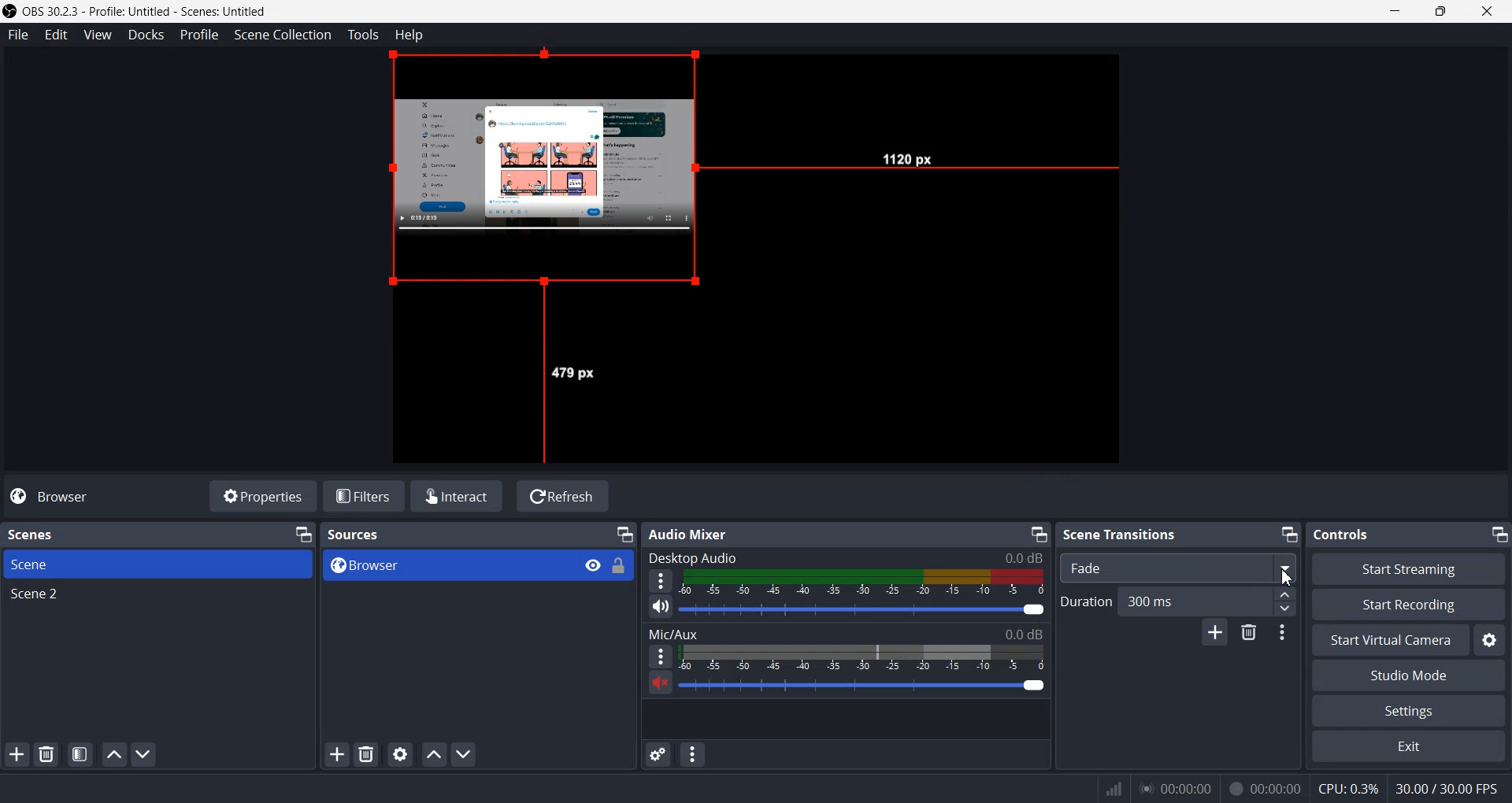 The height and width of the screenshot is (803, 1512). What do you see at coordinates (46, 753) in the screenshot?
I see `Delete selected scene` at bounding box center [46, 753].